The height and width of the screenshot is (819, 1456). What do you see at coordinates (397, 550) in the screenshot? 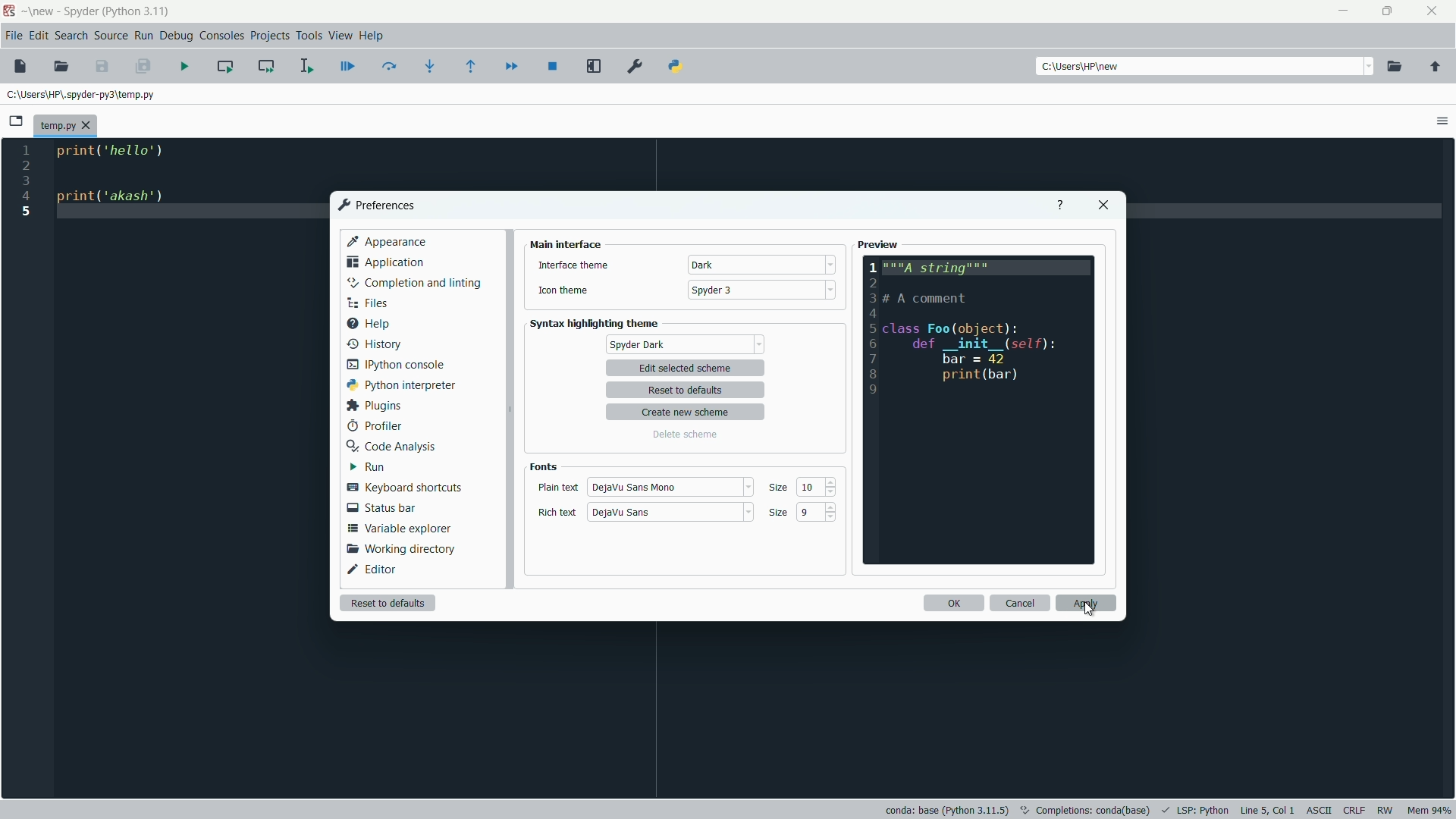
I see `working directory` at bounding box center [397, 550].